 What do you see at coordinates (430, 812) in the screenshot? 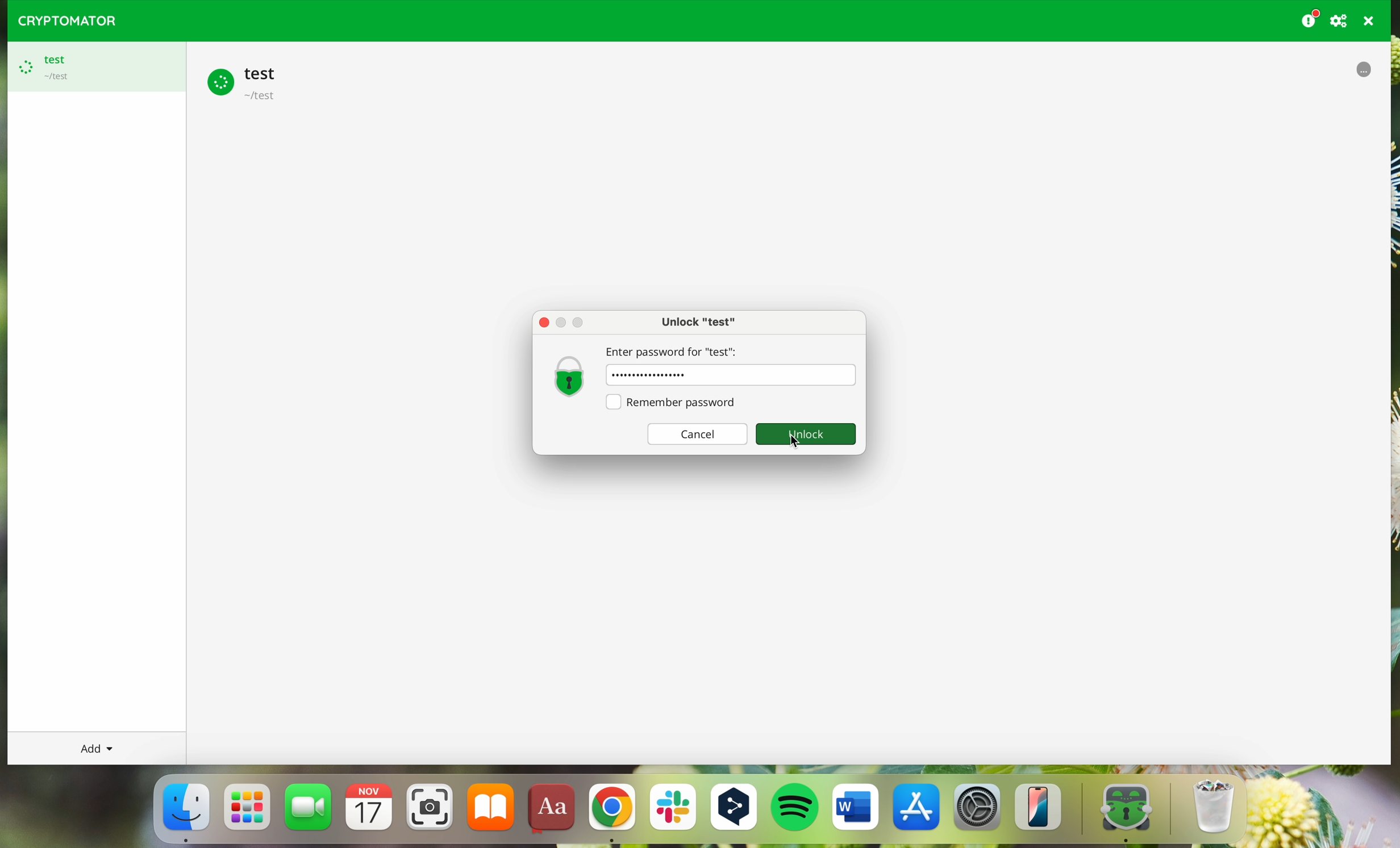
I see `screenshot` at bounding box center [430, 812].